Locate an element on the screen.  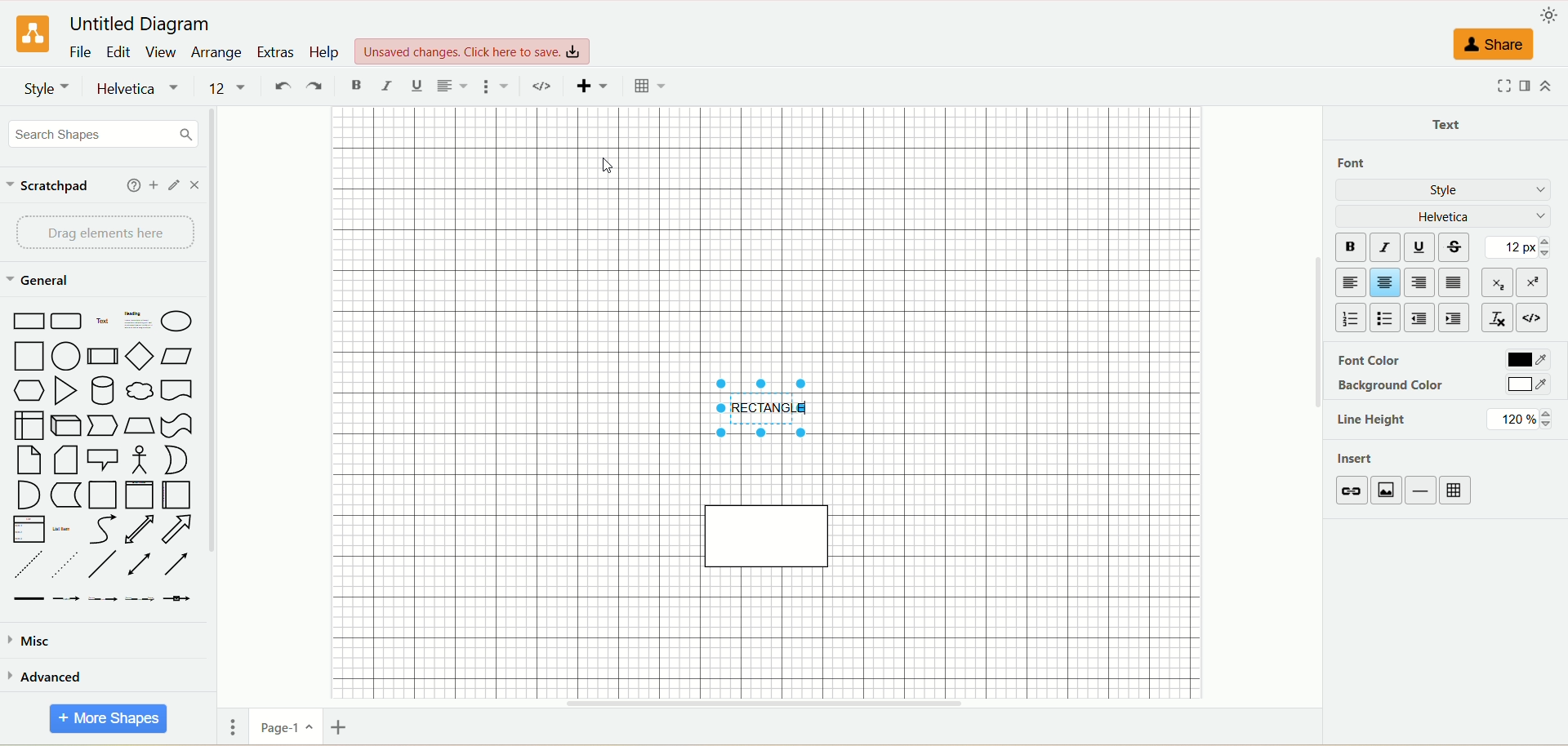
background color is located at coordinates (1442, 386).